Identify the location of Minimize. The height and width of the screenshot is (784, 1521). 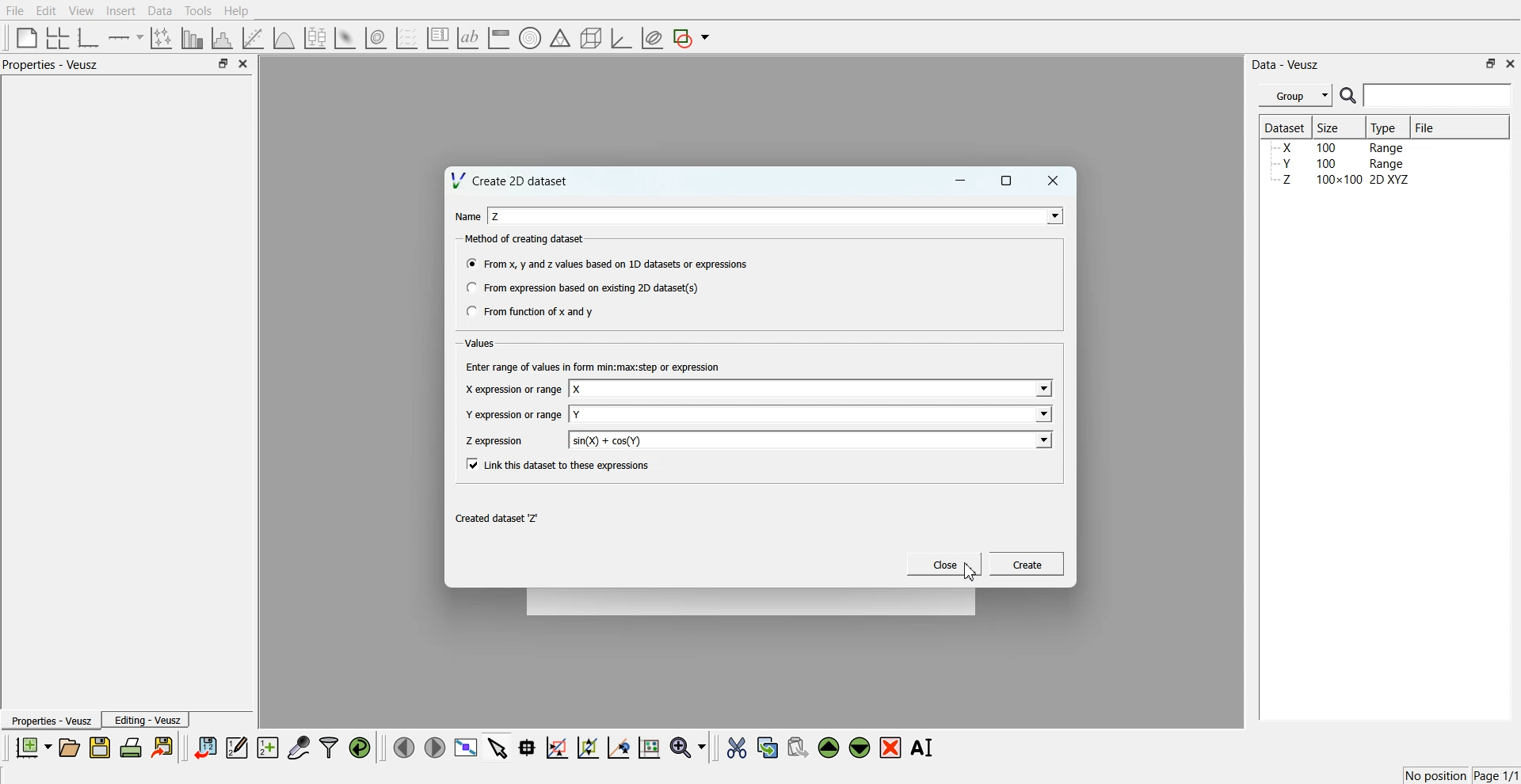
(960, 181).